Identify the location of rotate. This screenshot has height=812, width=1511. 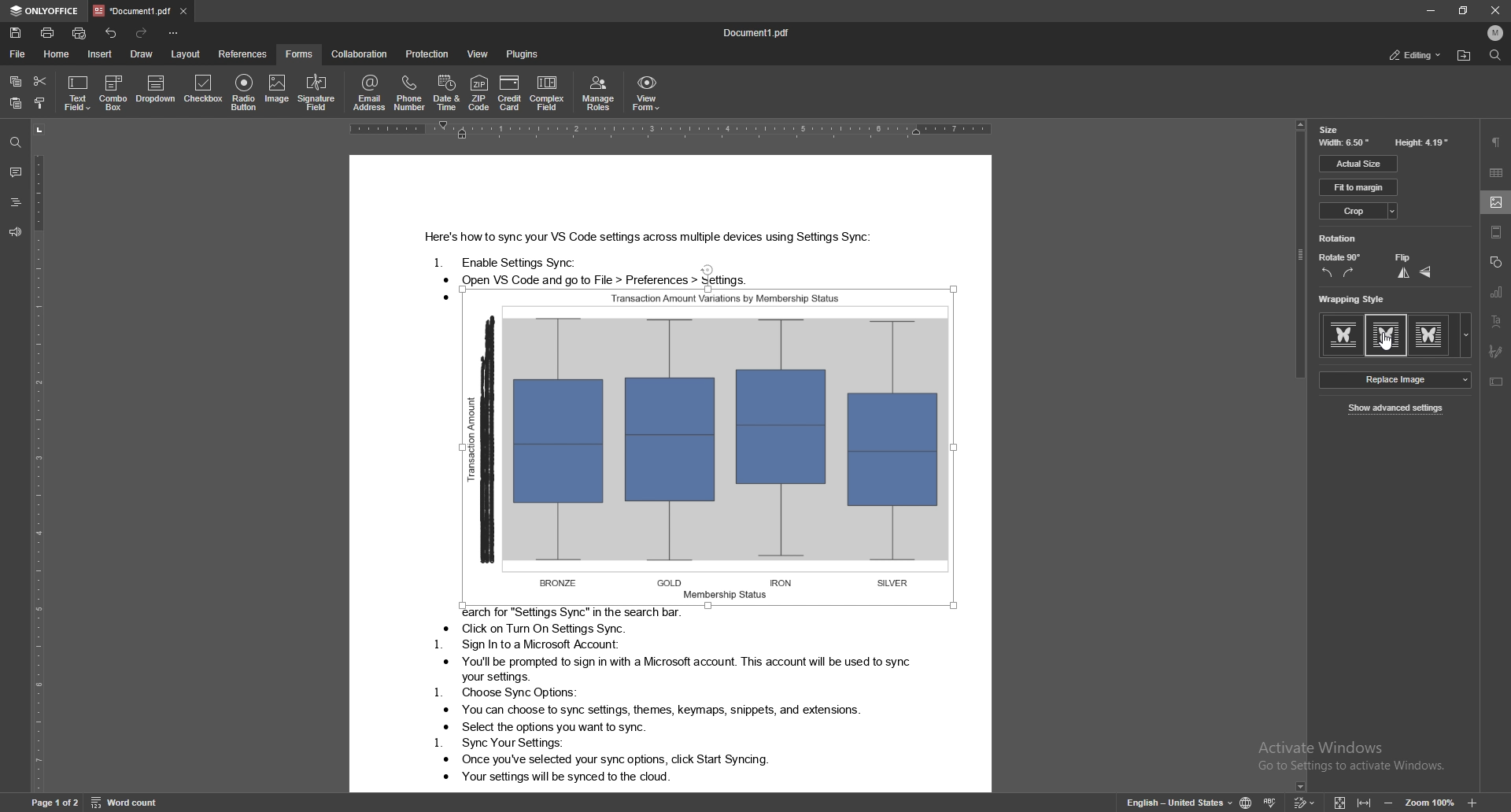
(1325, 275).